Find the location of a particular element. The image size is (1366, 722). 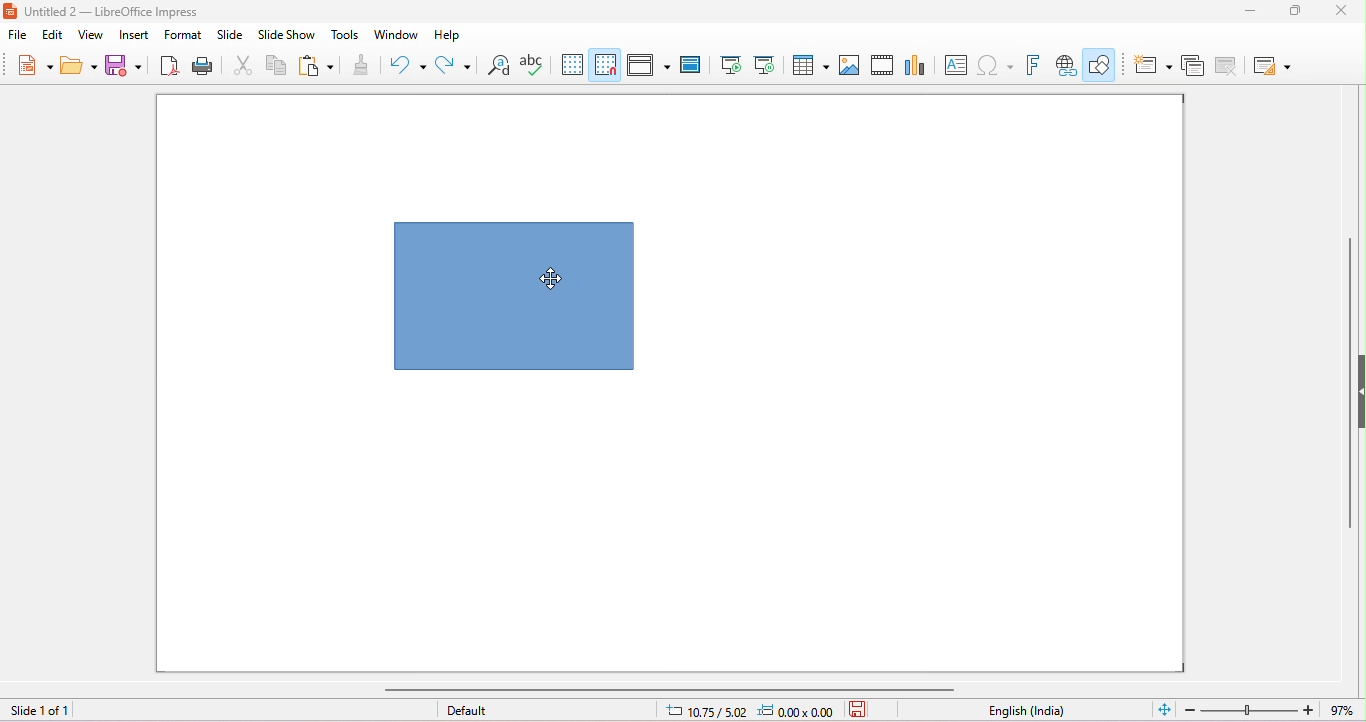

Collapse/Expand sidebar is located at coordinates (1361, 391).